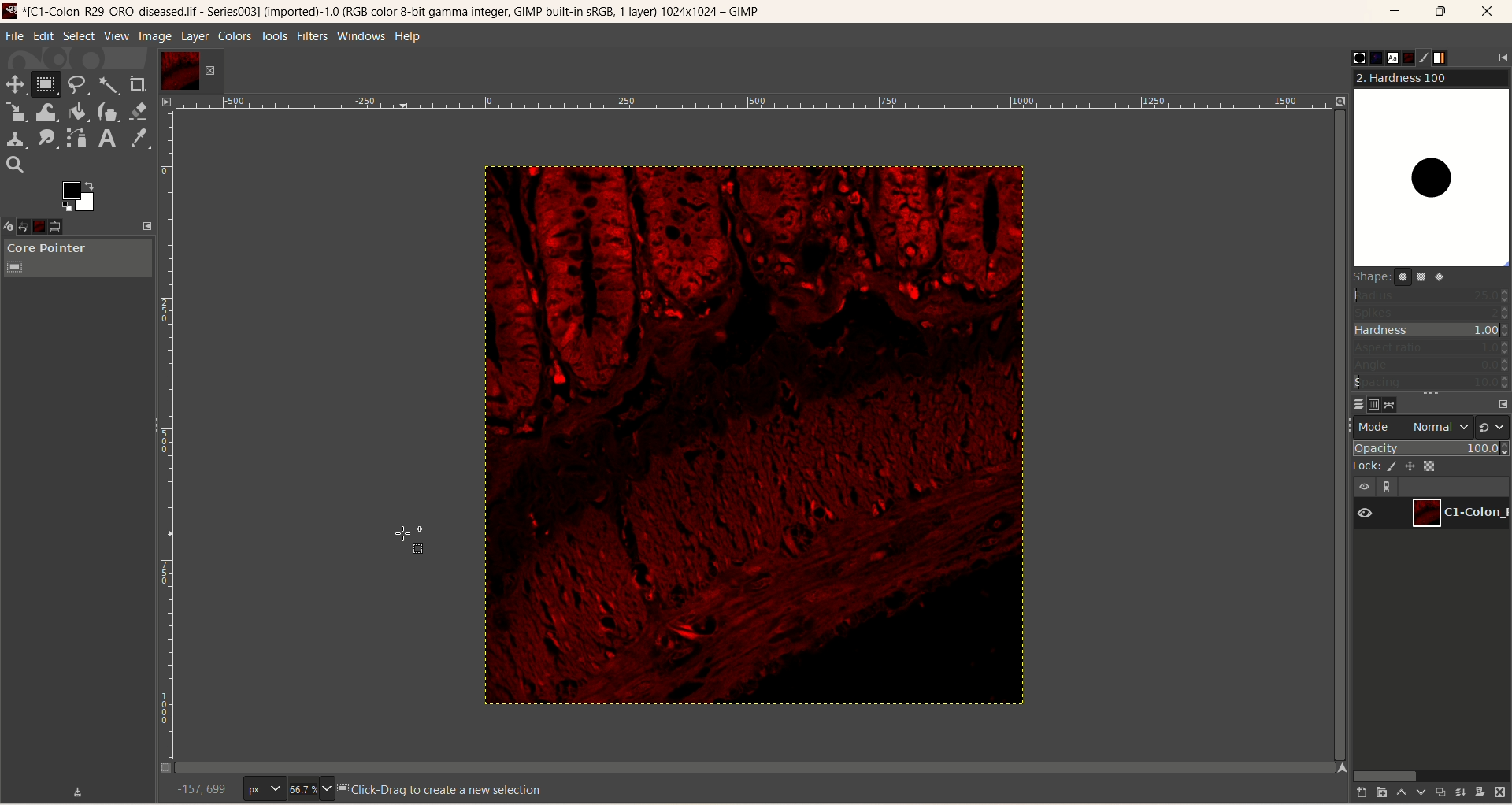 The image size is (1512, 805). What do you see at coordinates (108, 111) in the screenshot?
I see `ink tool` at bounding box center [108, 111].